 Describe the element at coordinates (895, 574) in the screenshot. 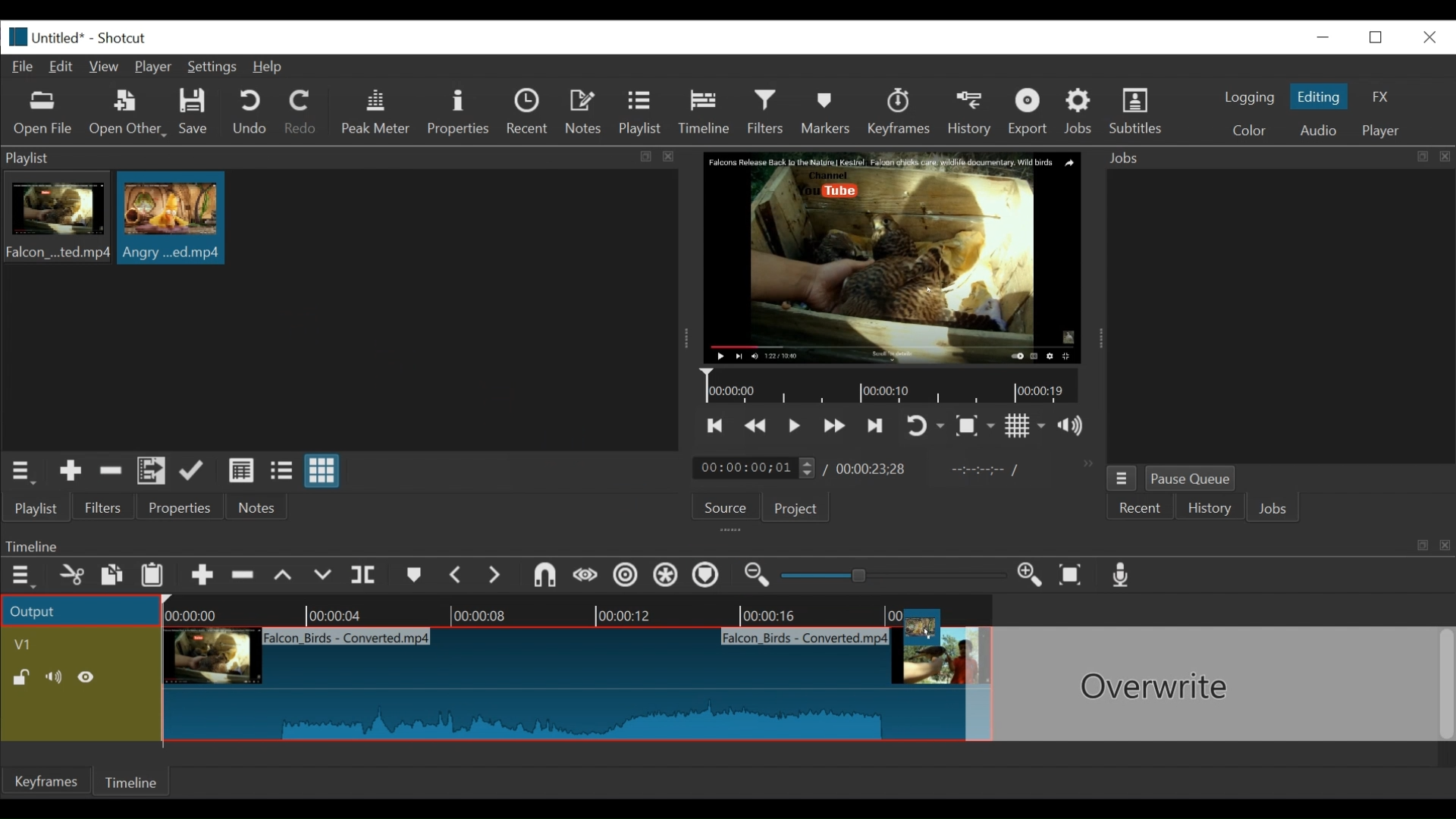

I see `slider` at that location.